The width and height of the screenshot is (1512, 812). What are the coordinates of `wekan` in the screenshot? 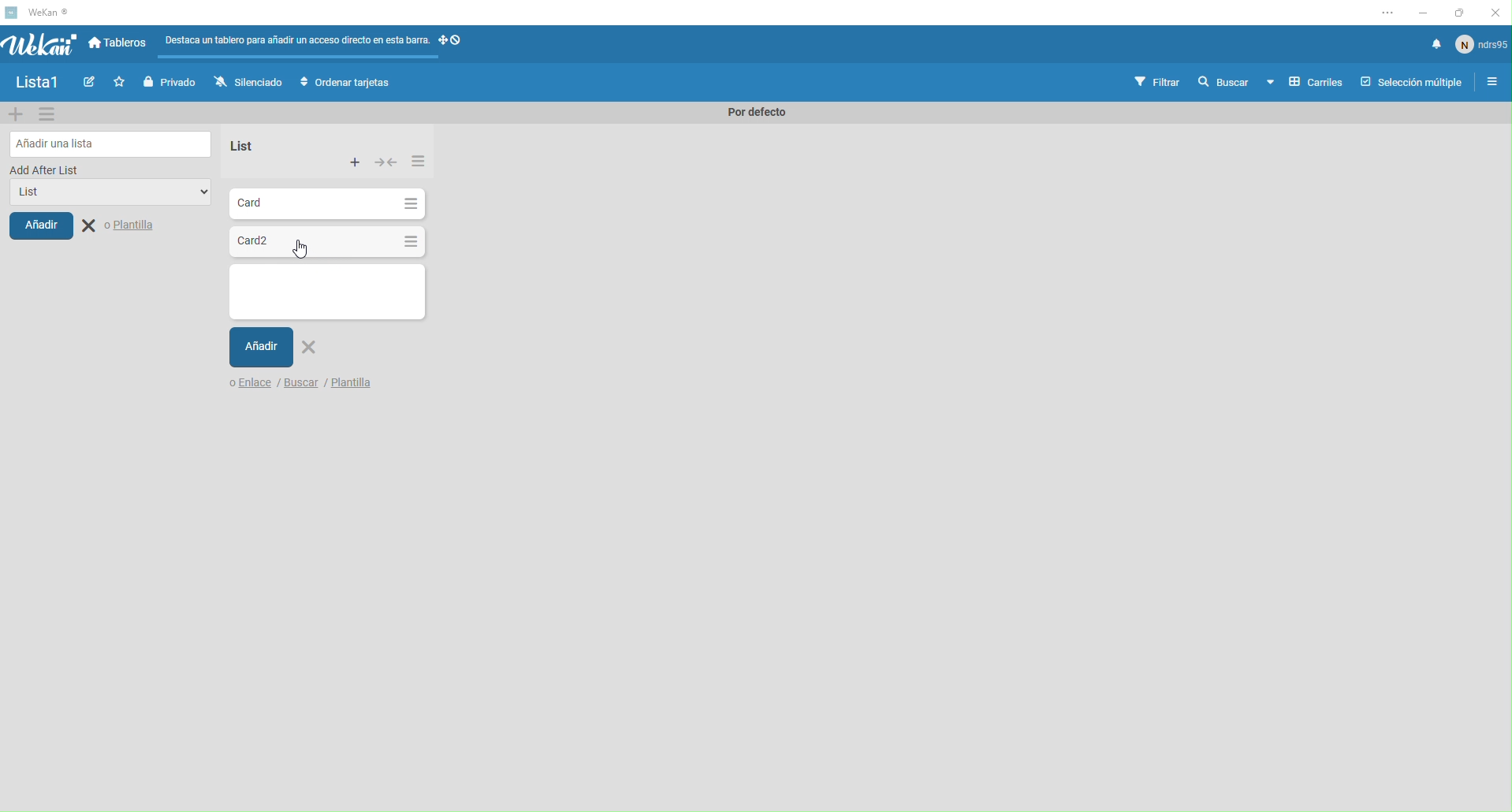 It's located at (40, 46).